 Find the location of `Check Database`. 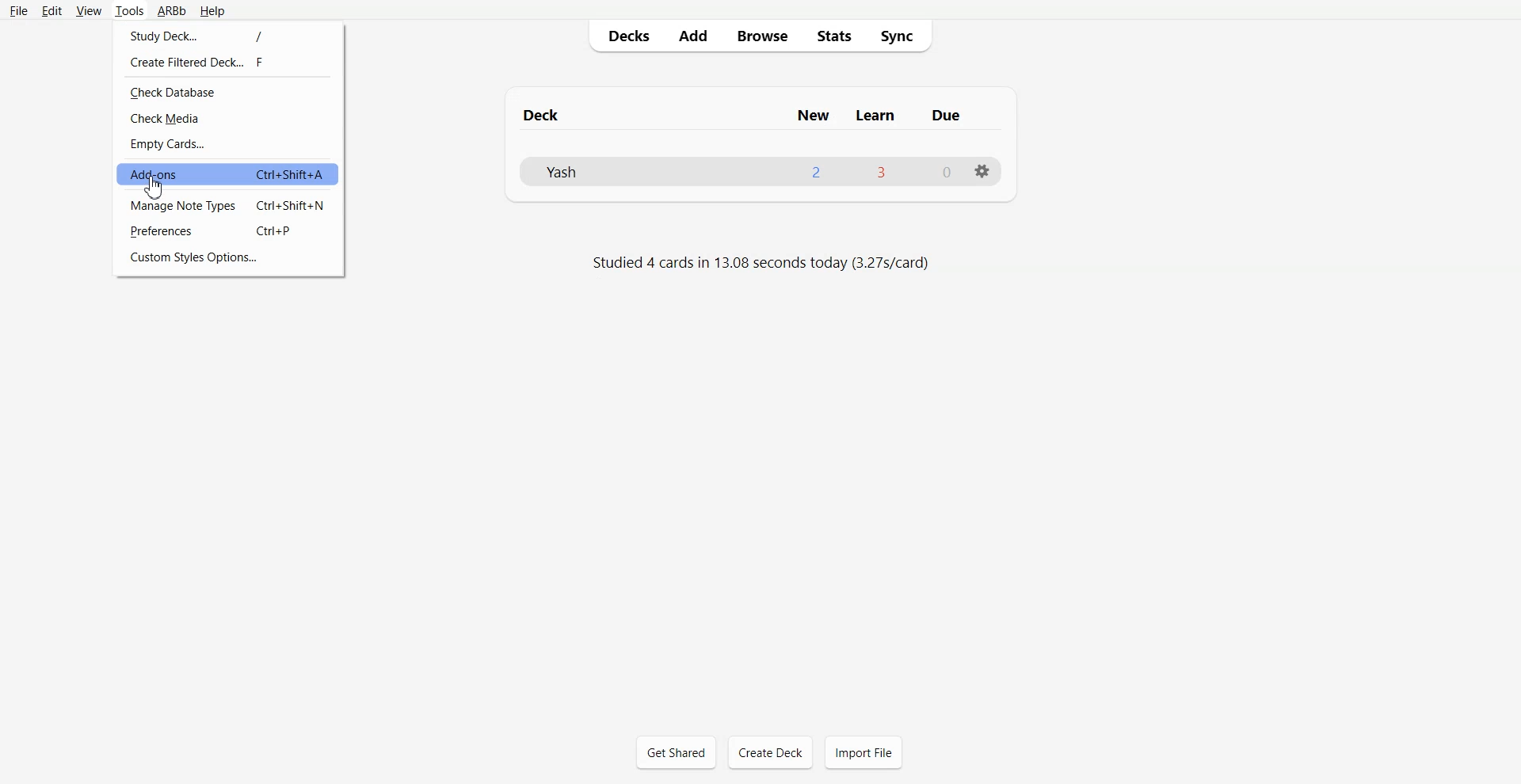

Check Database is located at coordinates (230, 91).